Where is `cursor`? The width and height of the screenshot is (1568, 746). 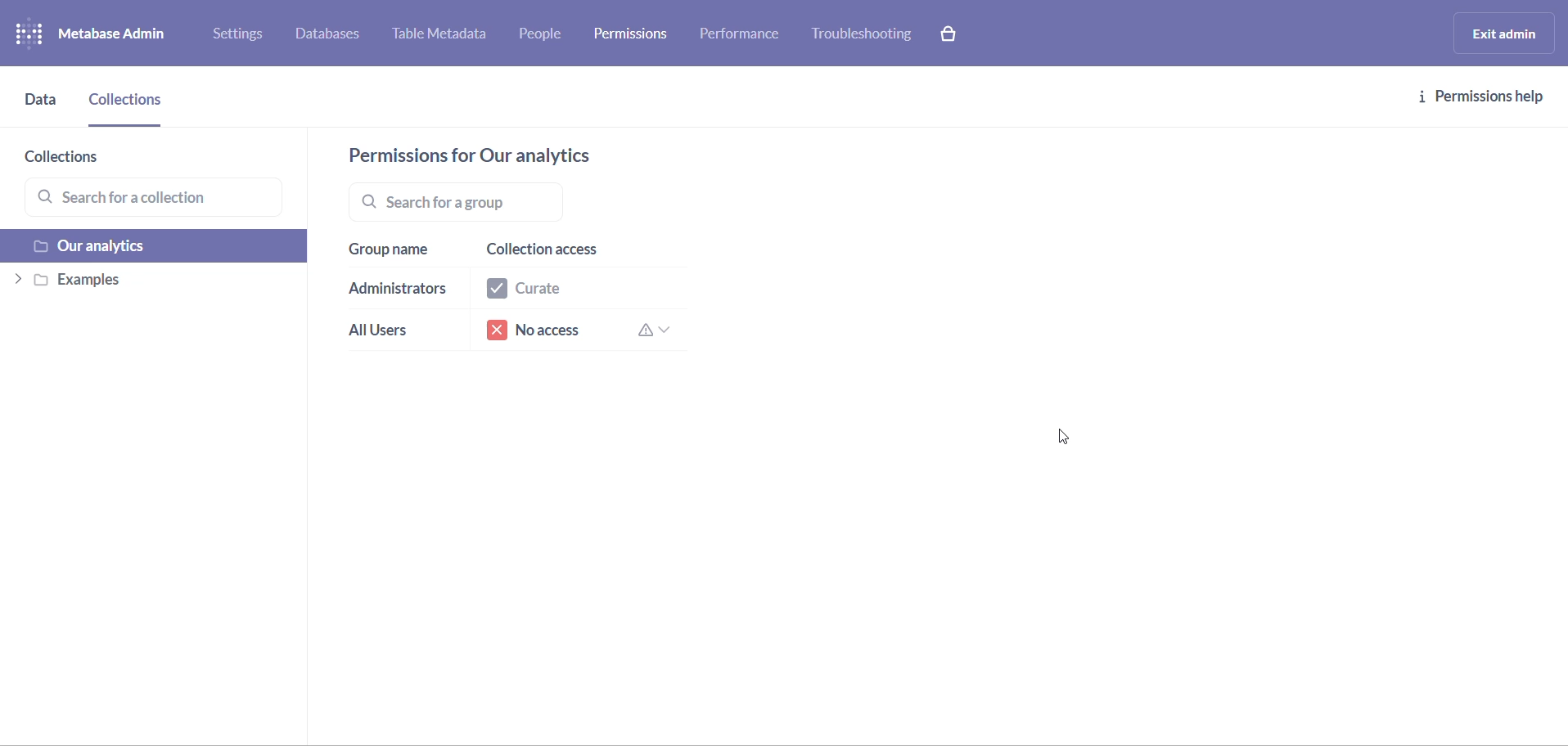
cursor is located at coordinates (1067, 440).